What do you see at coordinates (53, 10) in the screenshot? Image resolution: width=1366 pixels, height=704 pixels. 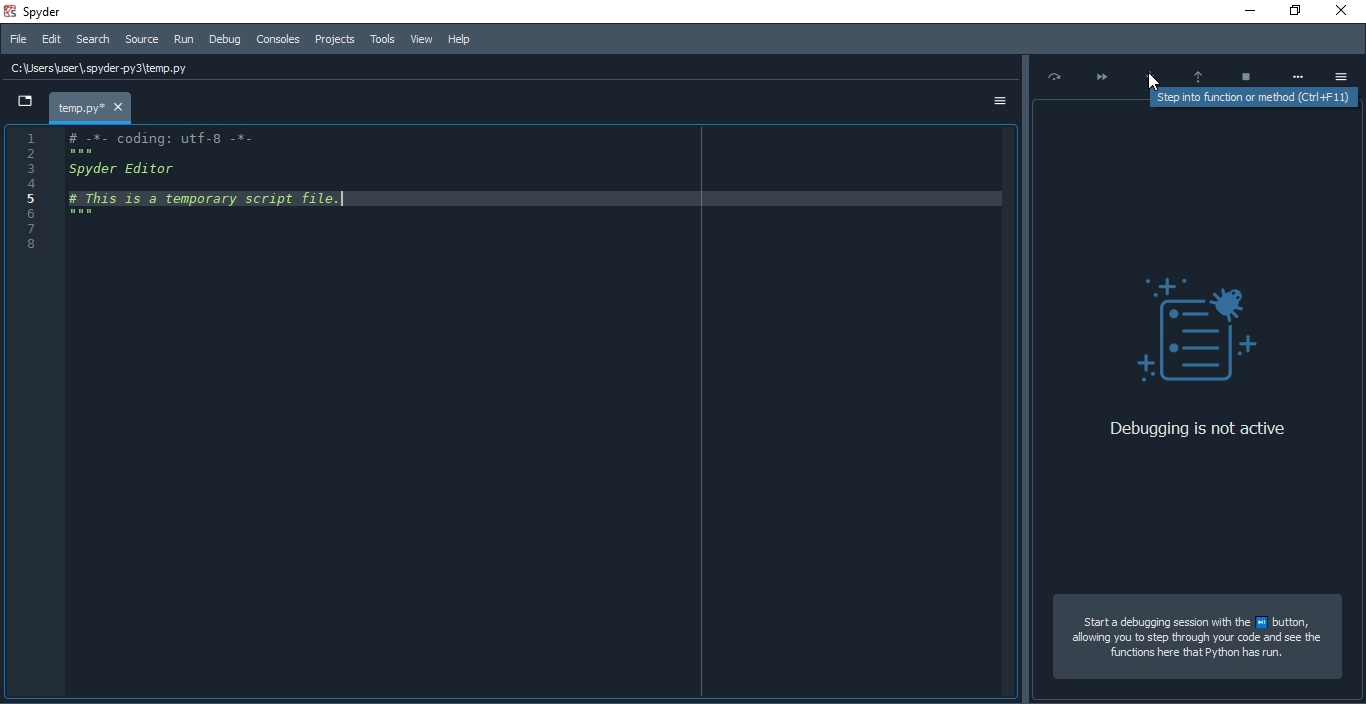 I see `spyder` at bounding box center [53, 10].